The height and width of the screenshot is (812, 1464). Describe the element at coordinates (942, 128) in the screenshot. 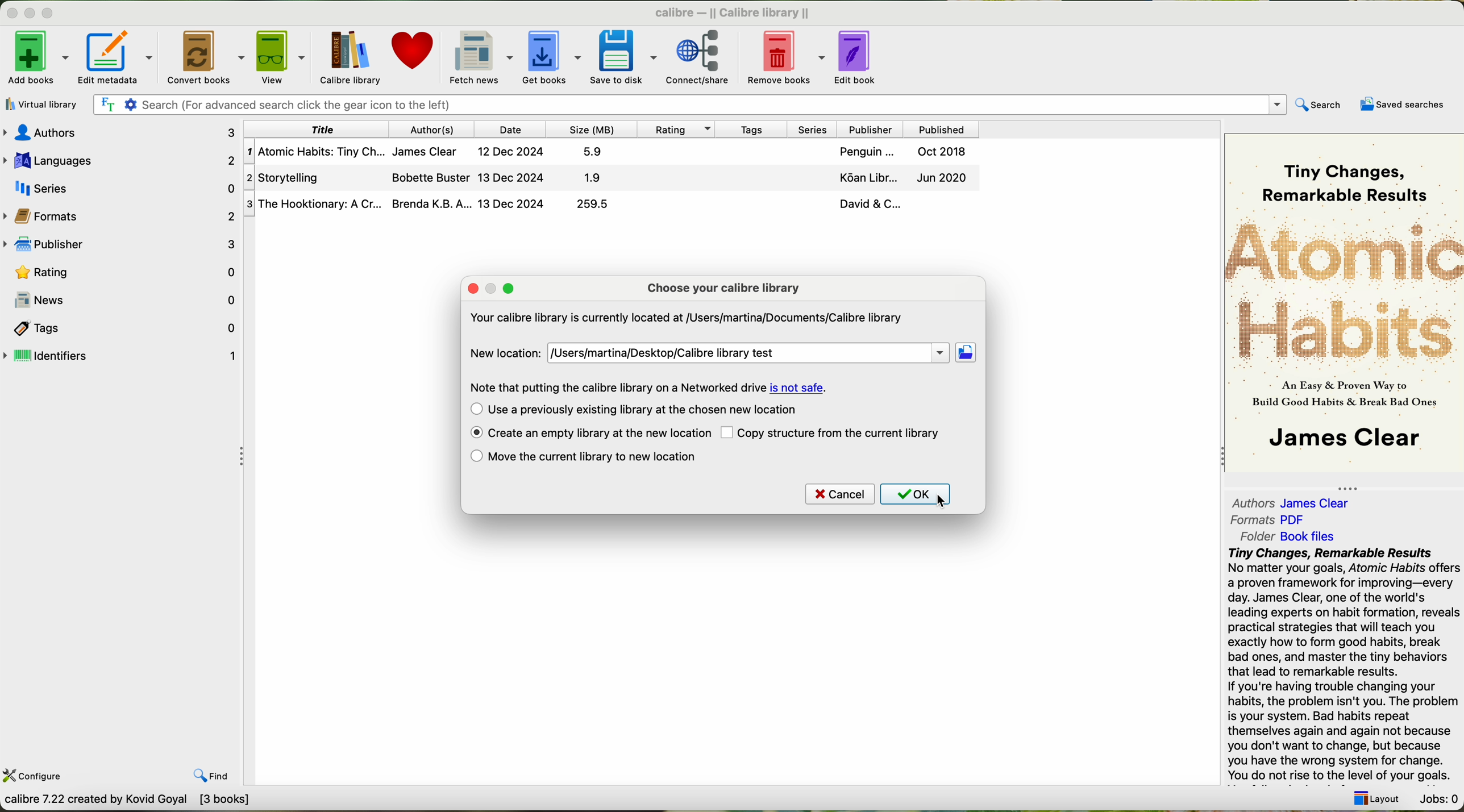

I see `published` at that location.